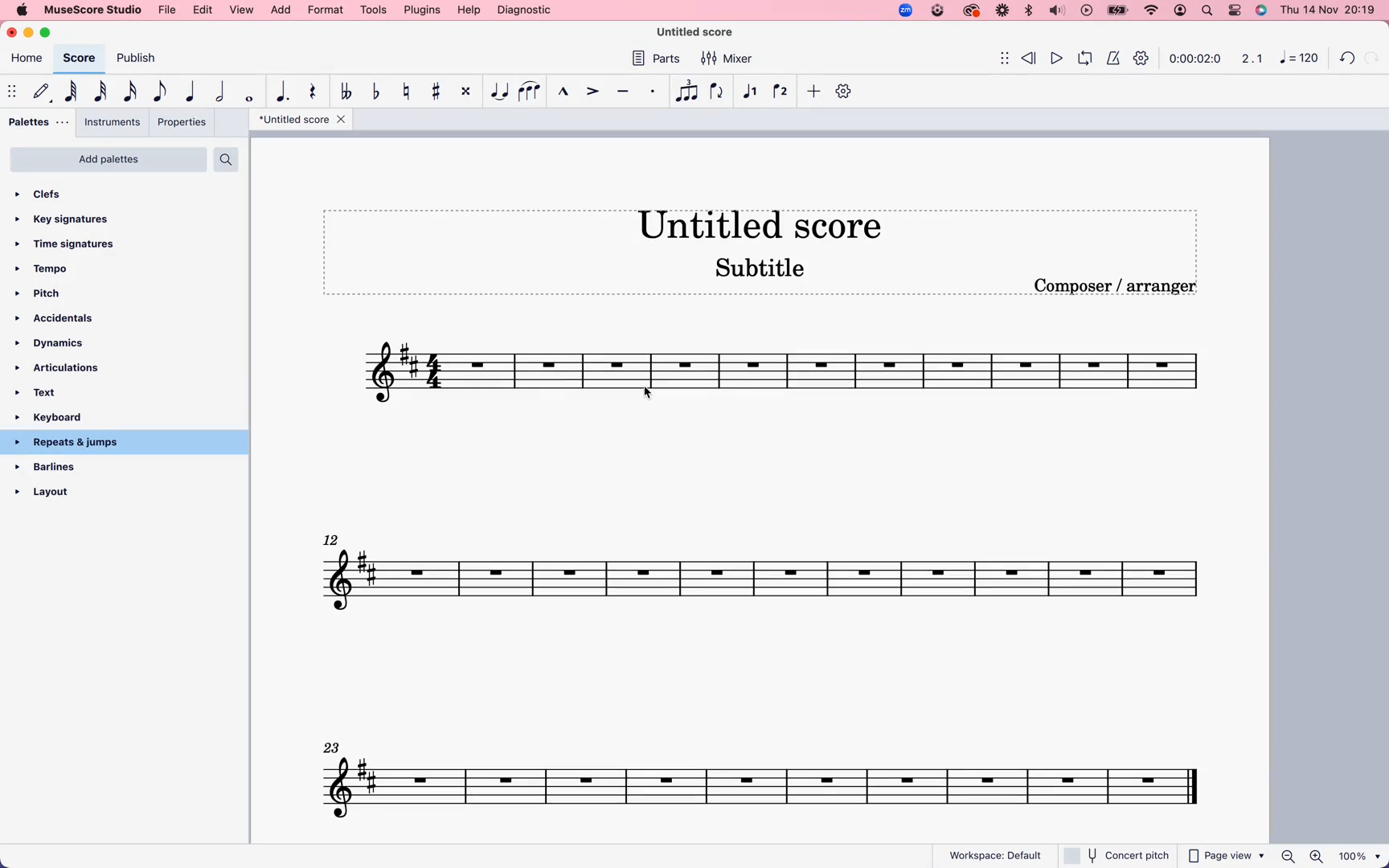 The height and width of the screenshot is (868, 1389). Describe the element at coordinates (782, 90) in the screenshot. I see `voice 2` at that location.